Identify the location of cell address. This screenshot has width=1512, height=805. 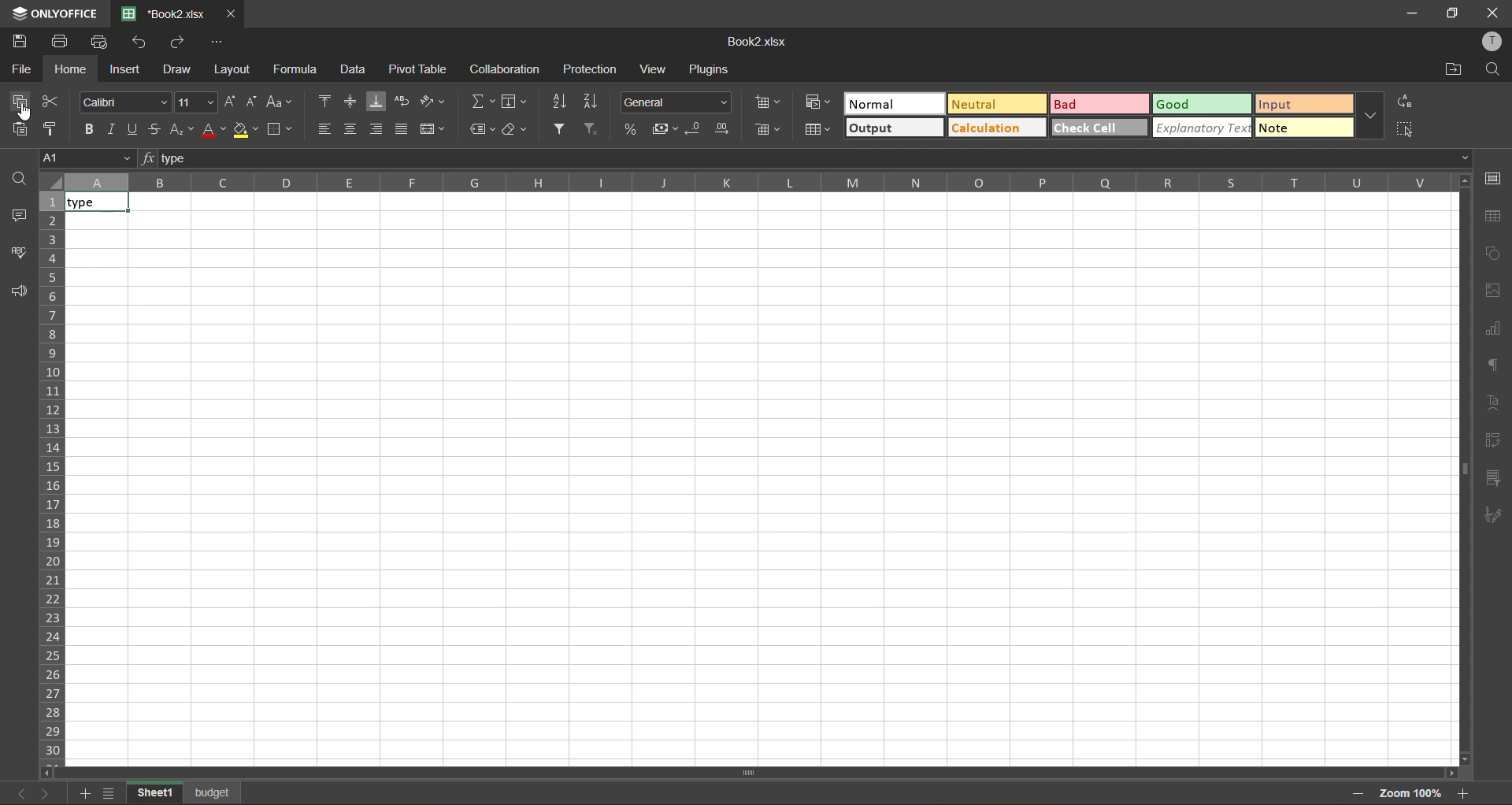
(89, 159).